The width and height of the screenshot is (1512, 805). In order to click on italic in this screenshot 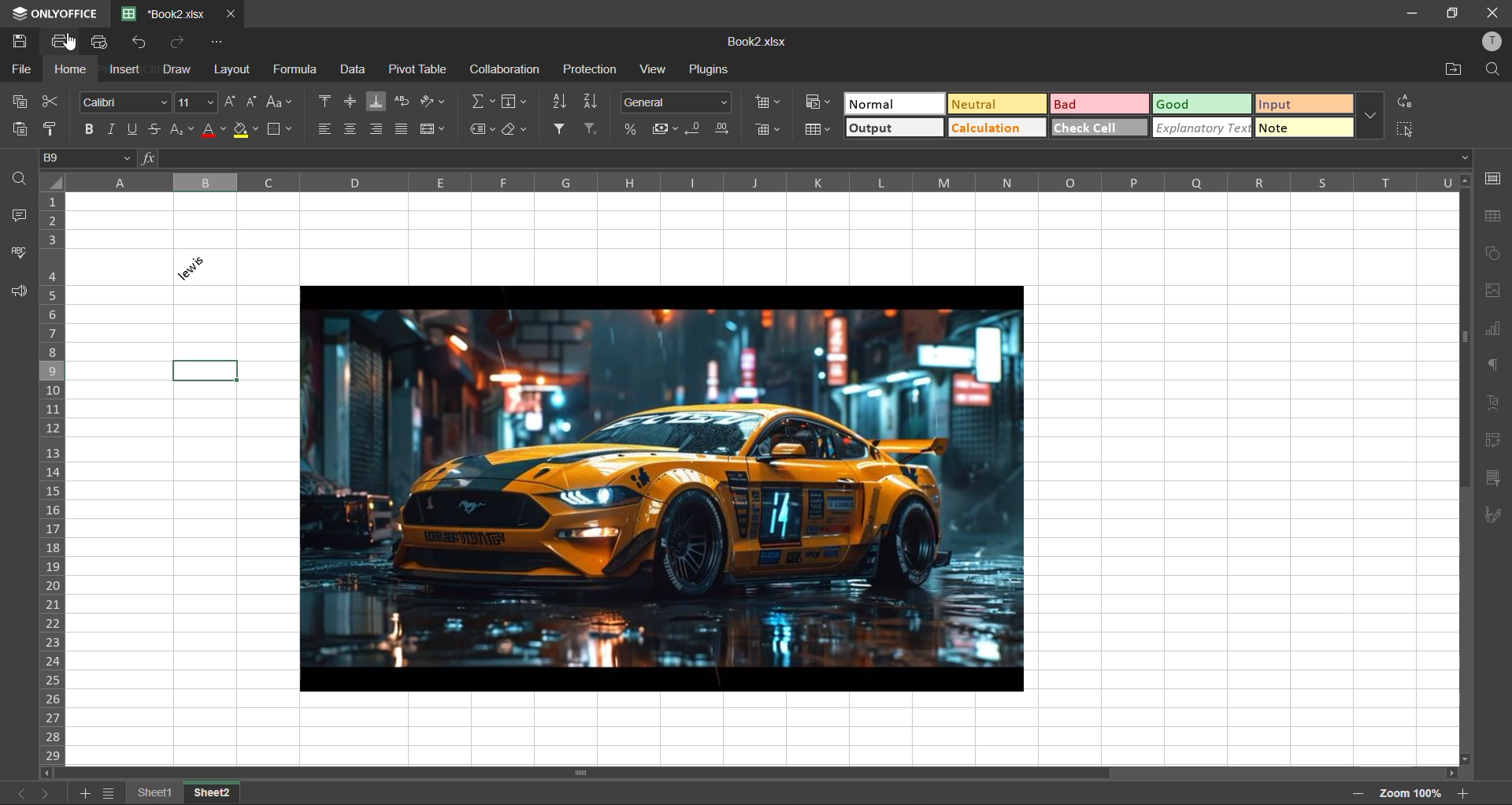, I will do `click(109, 131)`.